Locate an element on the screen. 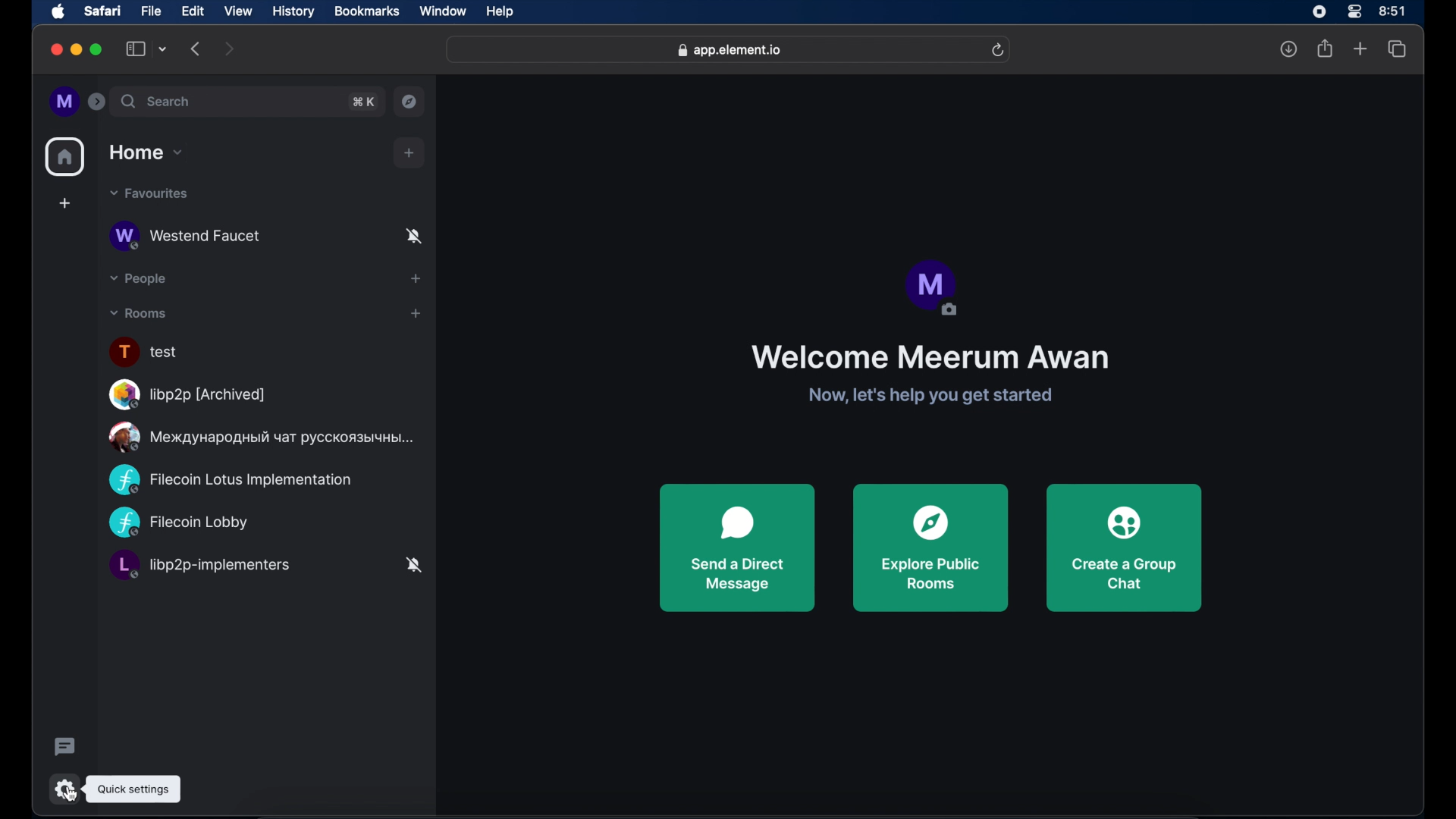 Image resolution: width=1456 pixels, height=819 pixels. favorites dropdown is located at coordinates (149, 194).